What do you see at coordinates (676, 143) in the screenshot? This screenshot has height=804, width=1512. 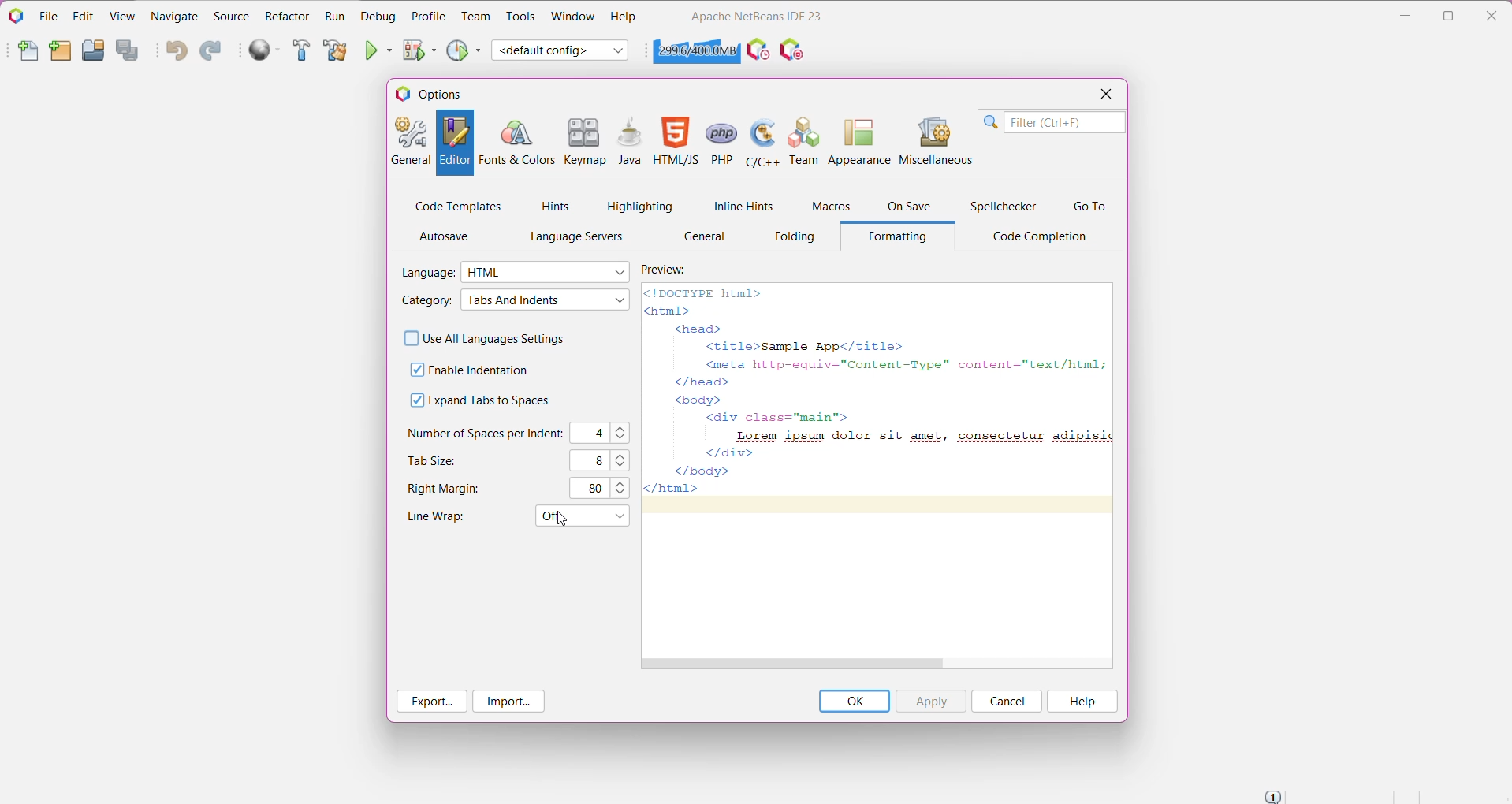 I see `HTML/JS` at bounding box center [676, 143].